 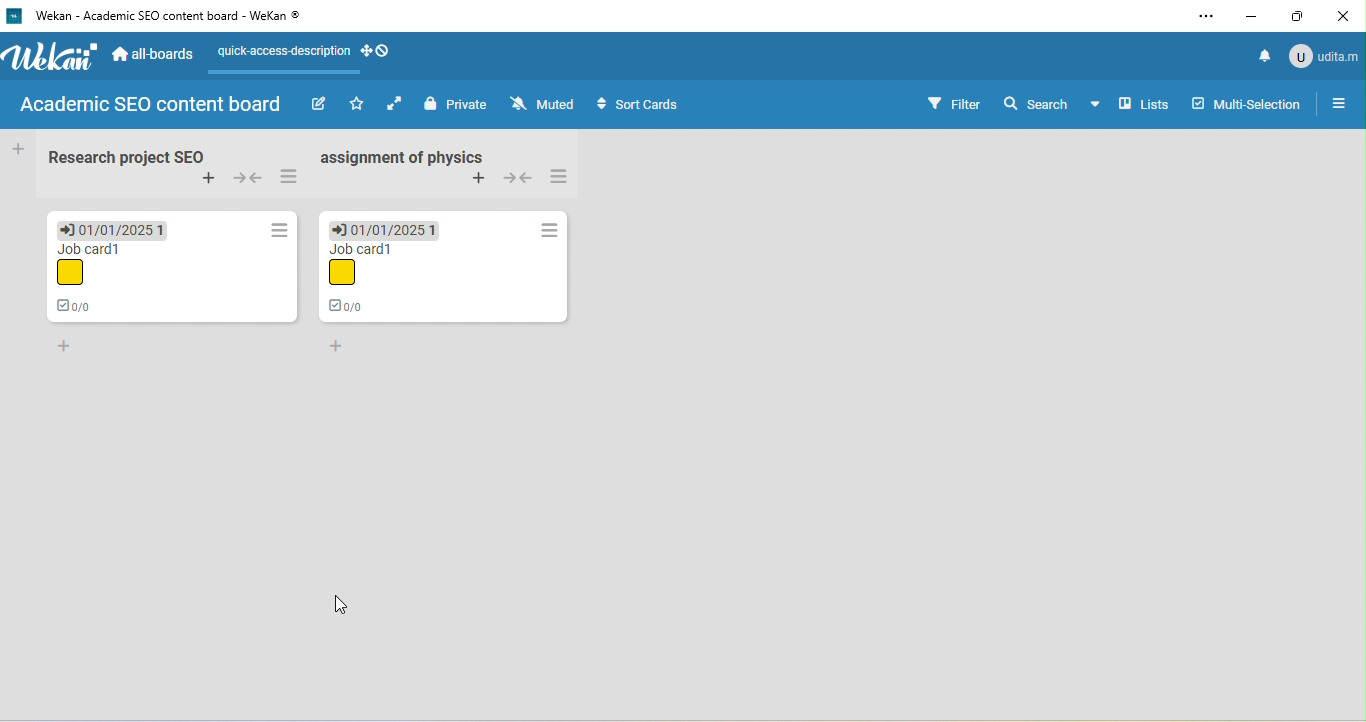 What do you see at coordinates (389, 226) in the screenshot?
I see ` due date` at bounding box center [389, 226].